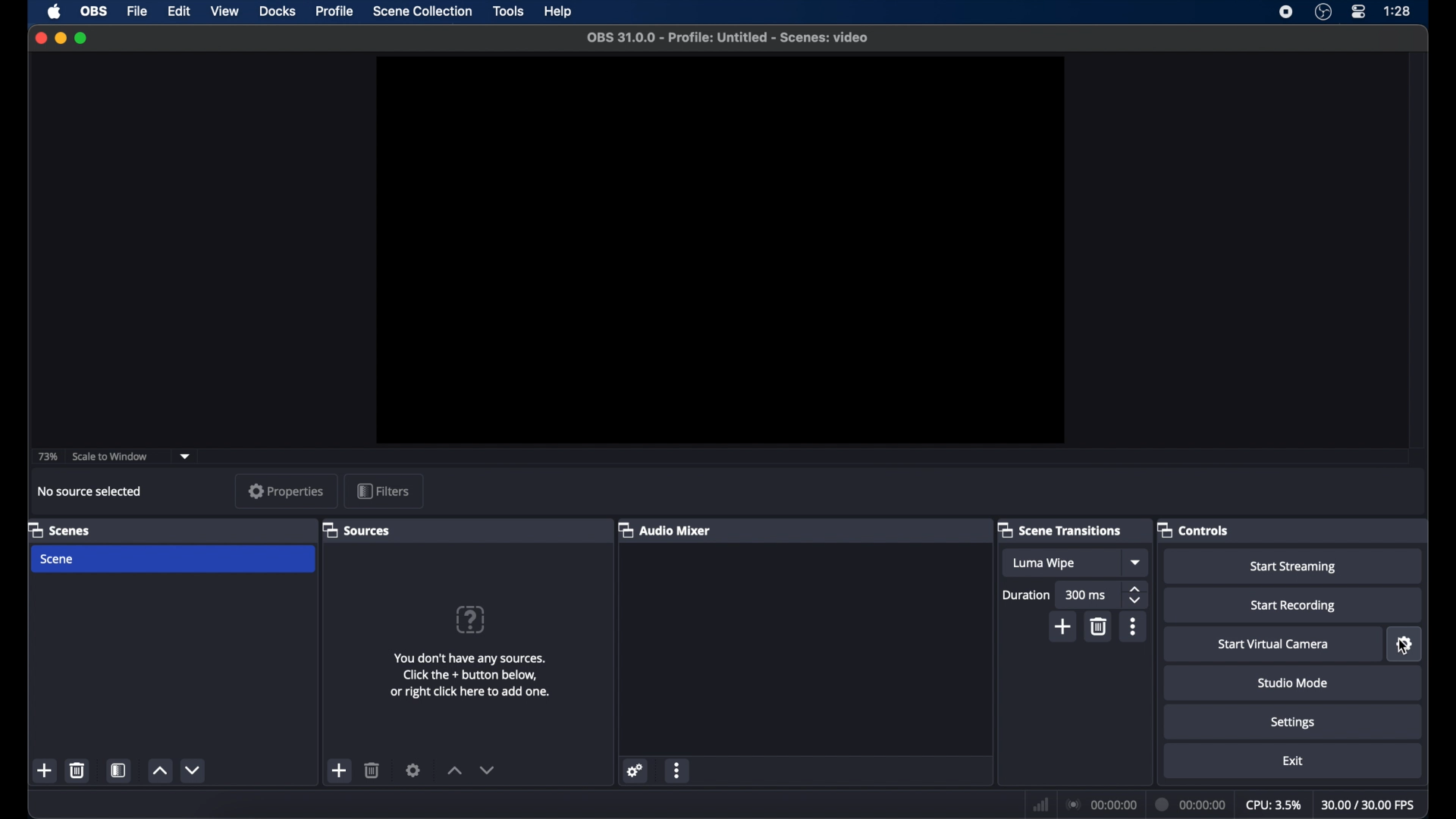  Describe the element at coordinates (413, 770) in the screenshot. I see `settings` at that location.